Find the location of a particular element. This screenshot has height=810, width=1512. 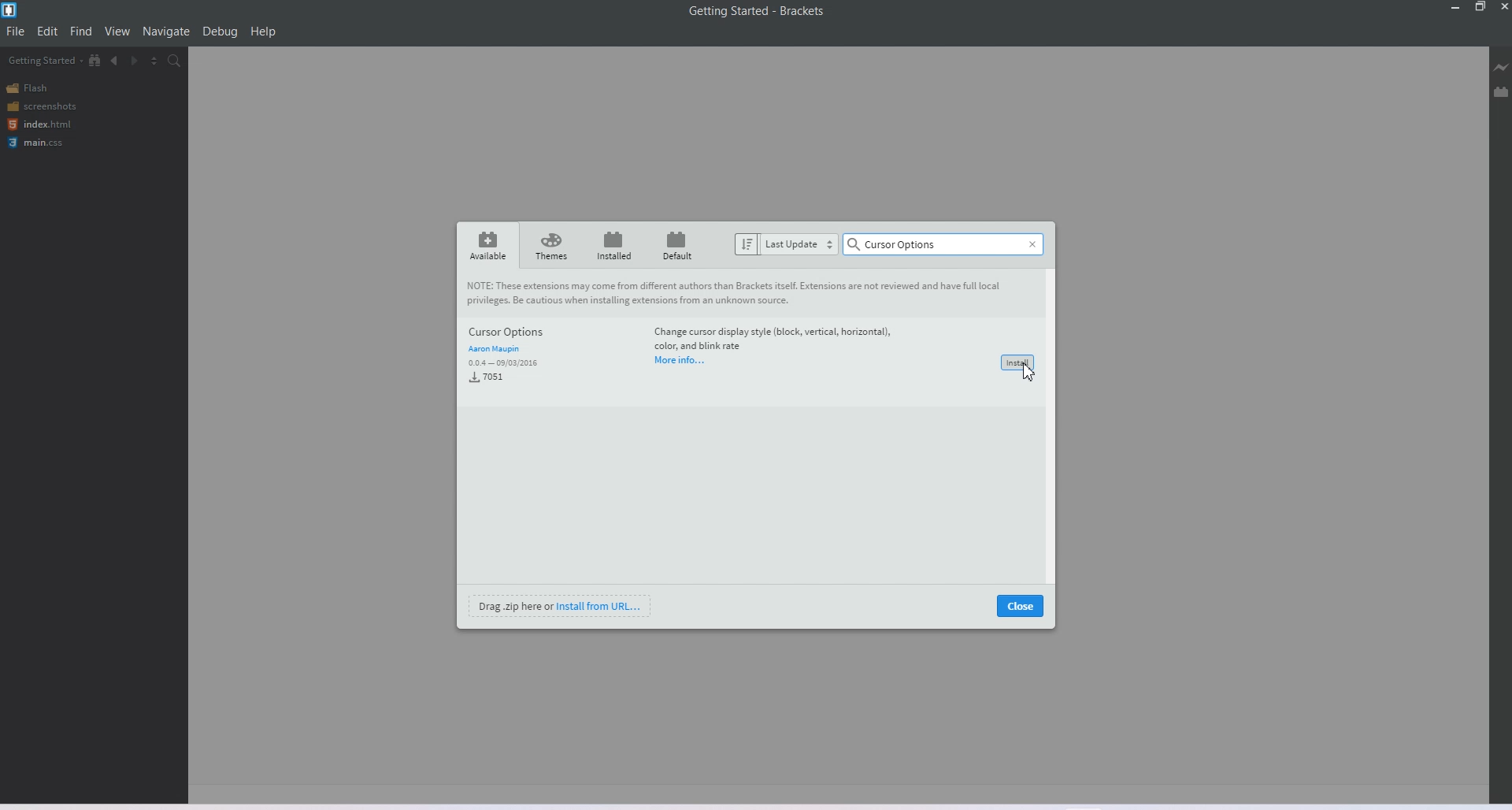

aaron maupin is located at coordinates (494, 350).